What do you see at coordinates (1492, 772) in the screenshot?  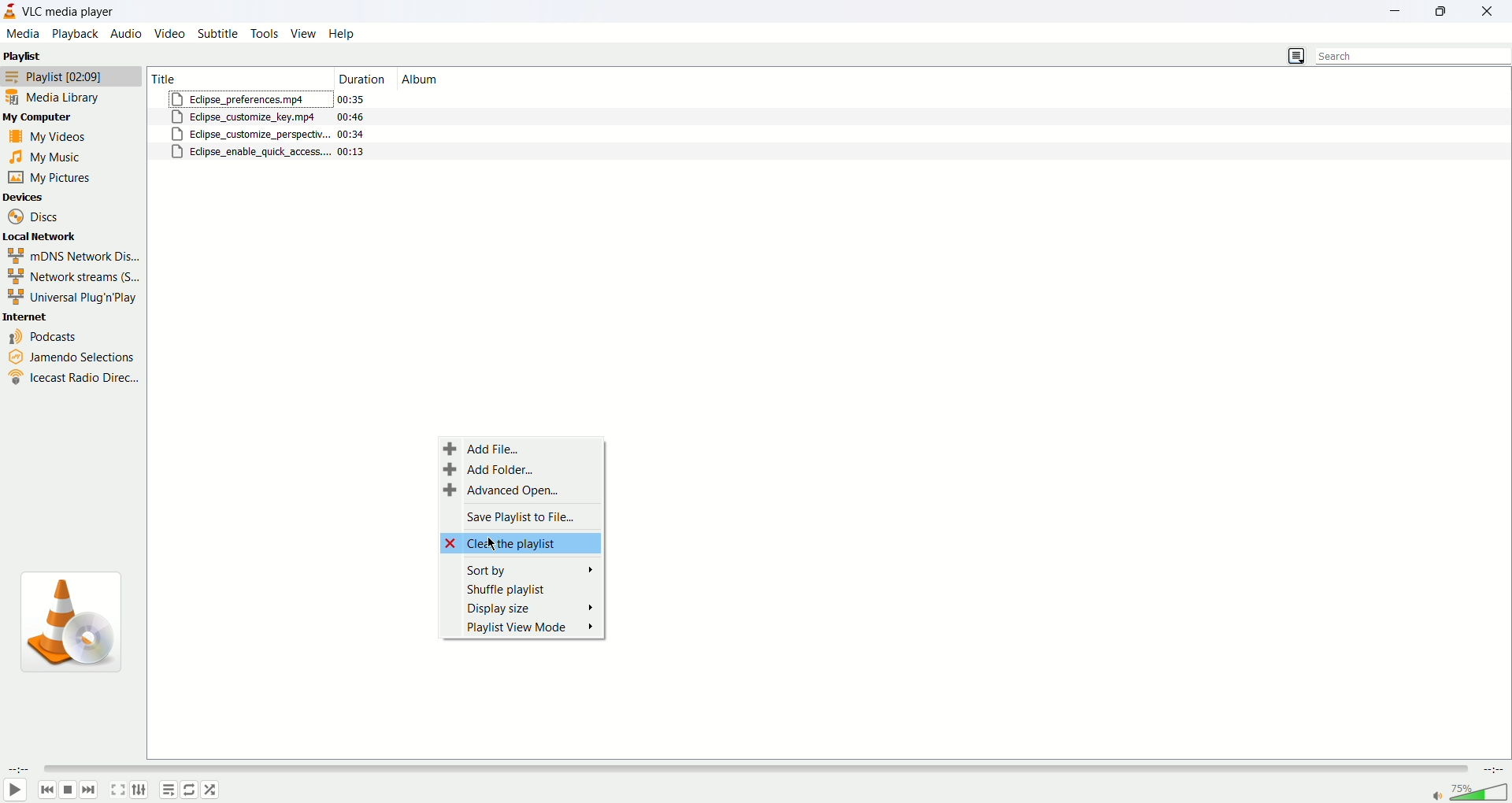 I see `time remaining` at bounding box center [1492, 772].